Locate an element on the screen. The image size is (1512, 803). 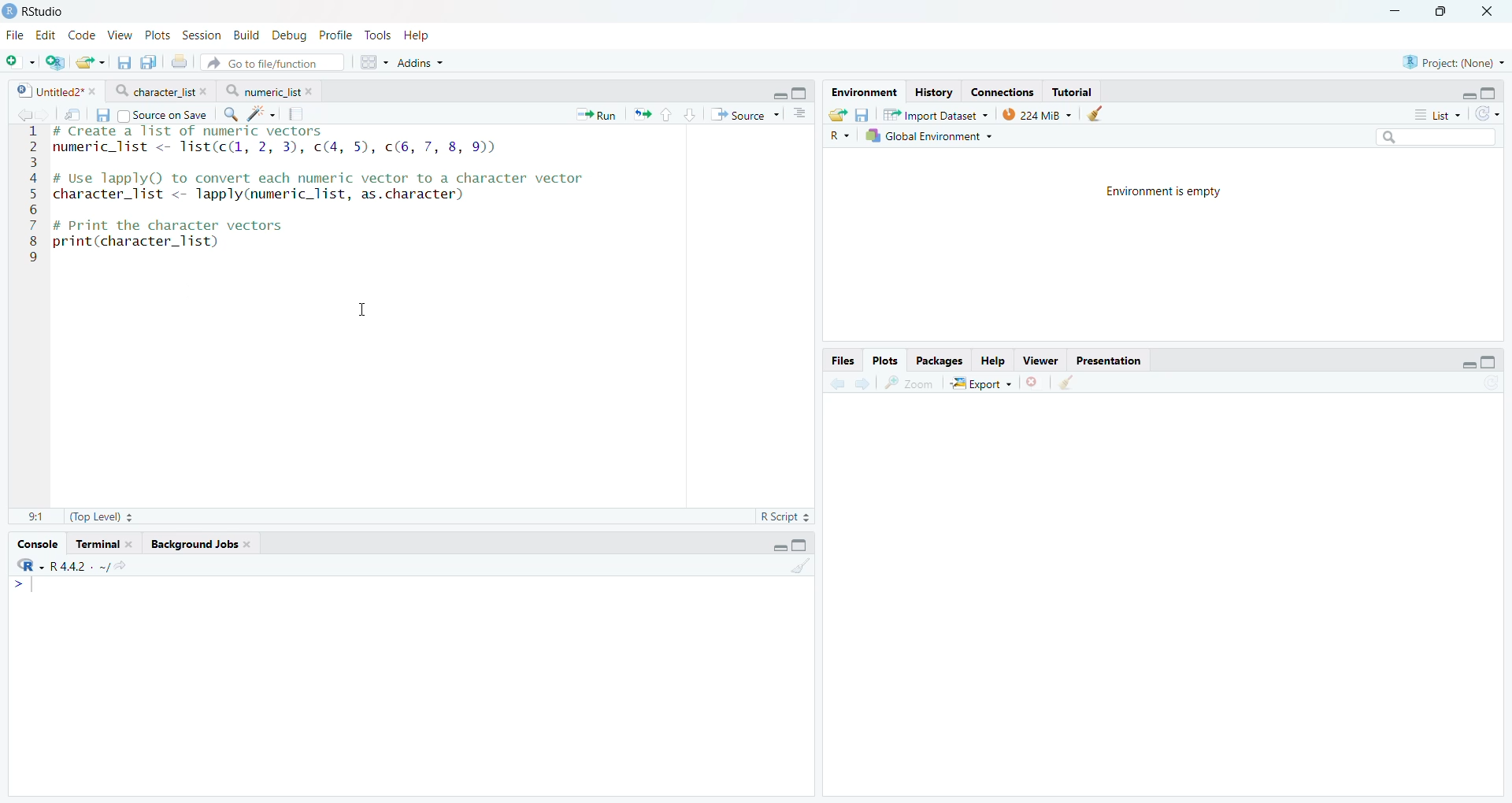
Show document outline is located at coordinates (799, 115).